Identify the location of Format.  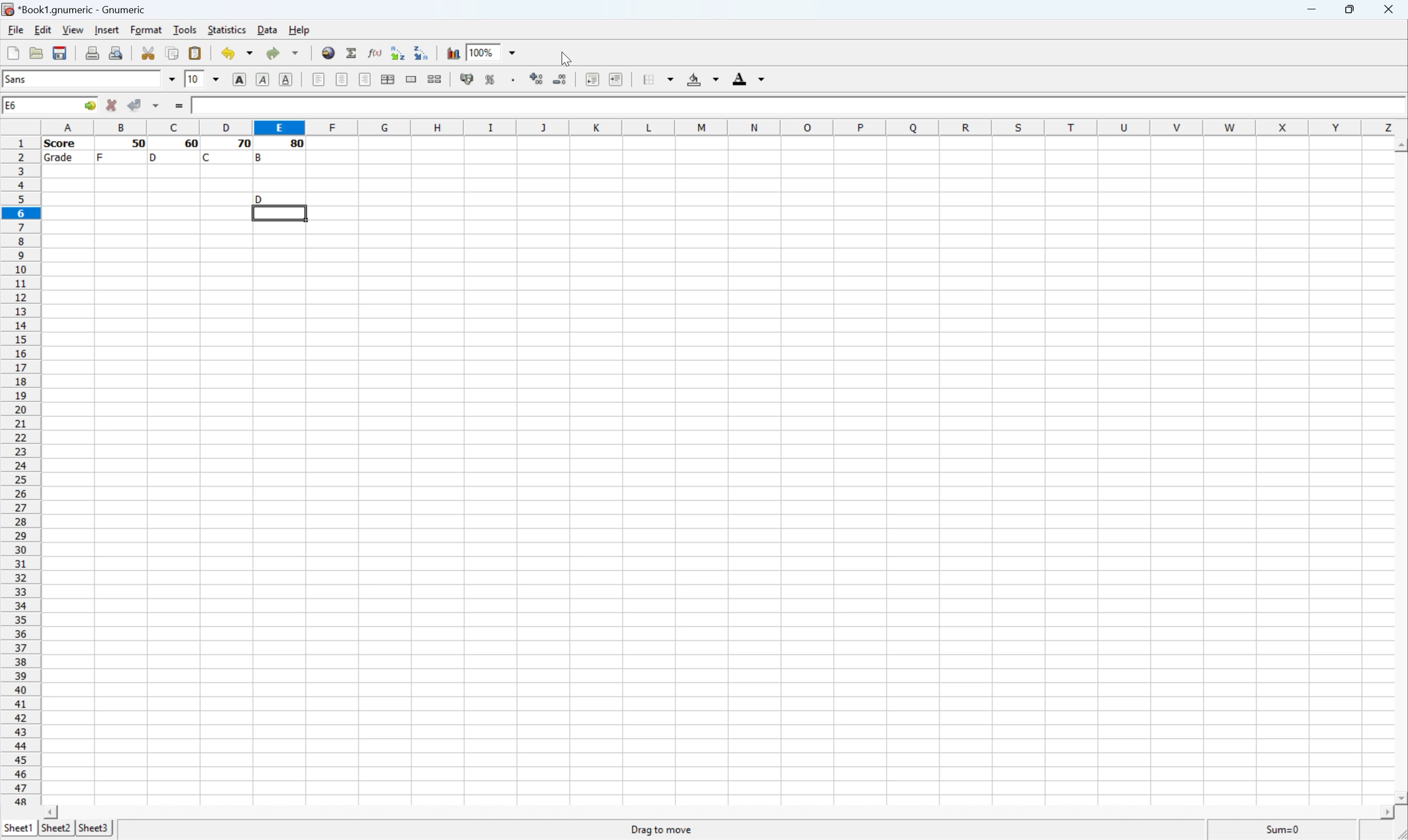
(146, 28).